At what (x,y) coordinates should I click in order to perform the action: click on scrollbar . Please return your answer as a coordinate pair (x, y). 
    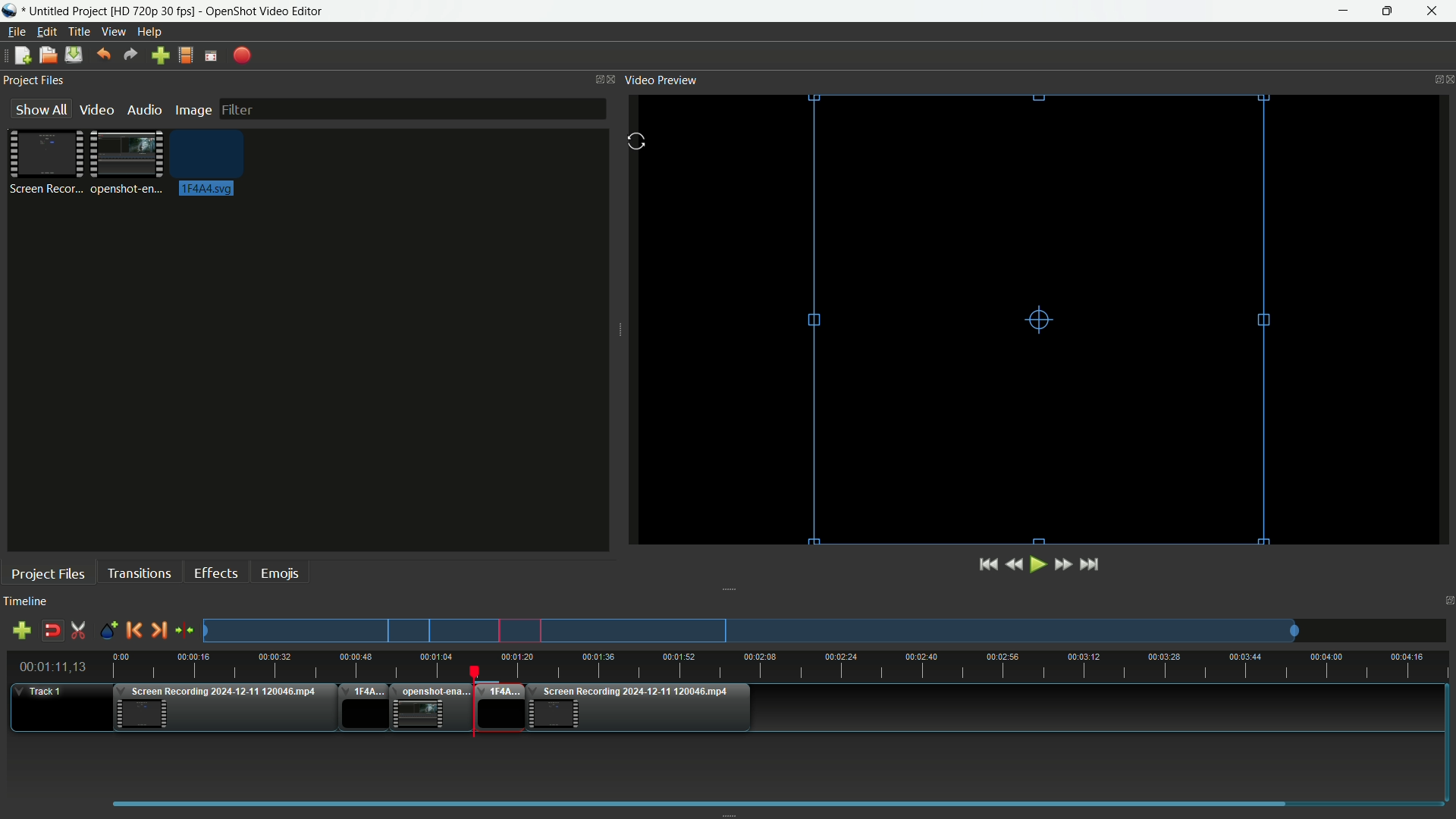
    Looking at the image, I should click on (771, 802).